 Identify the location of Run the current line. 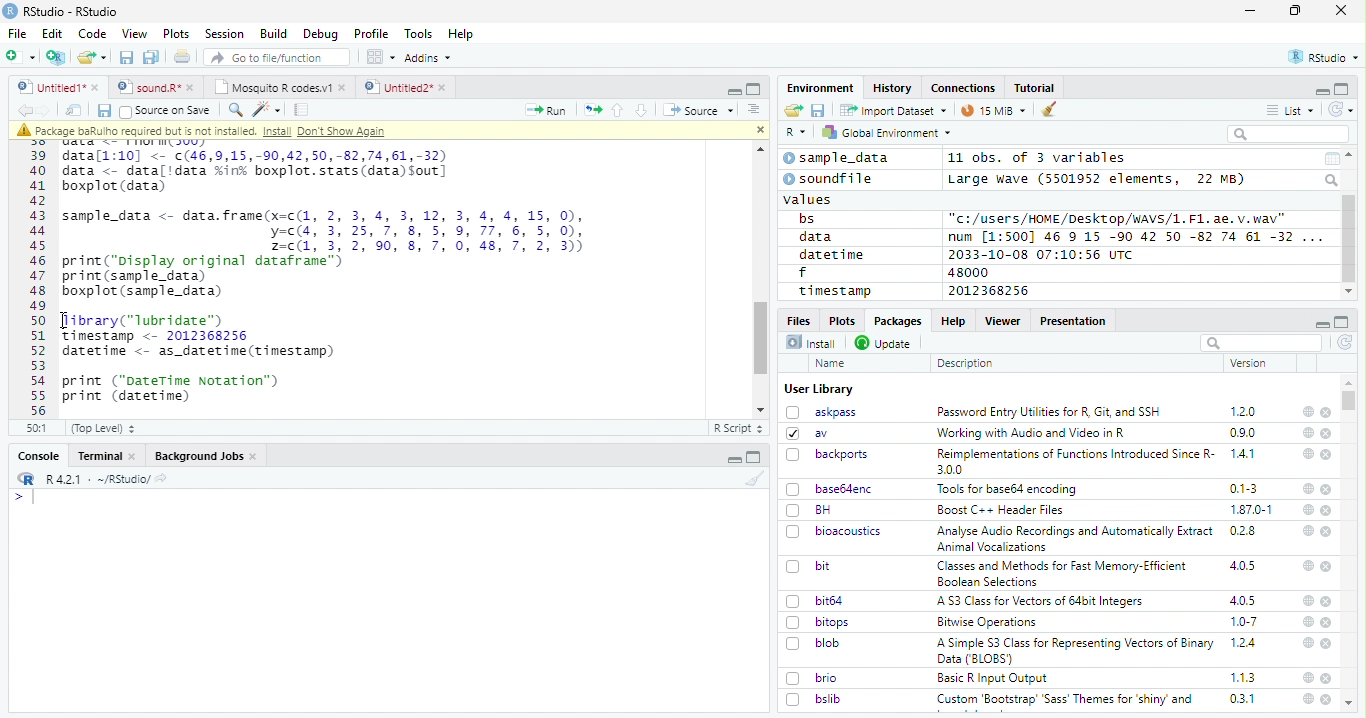
(546, 110).